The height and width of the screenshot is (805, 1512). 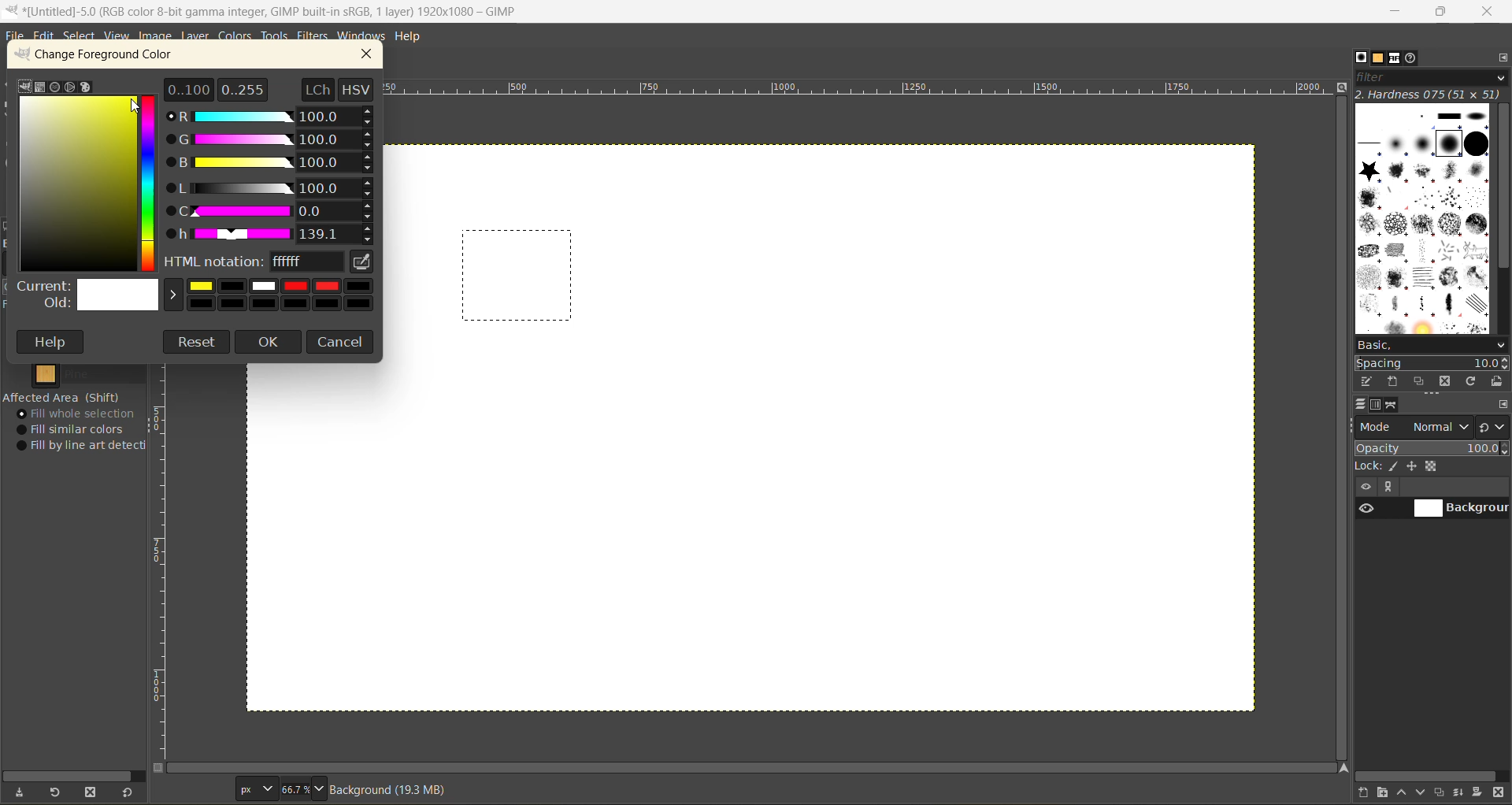 I want to click on filter, so click(x=1432, y=79).